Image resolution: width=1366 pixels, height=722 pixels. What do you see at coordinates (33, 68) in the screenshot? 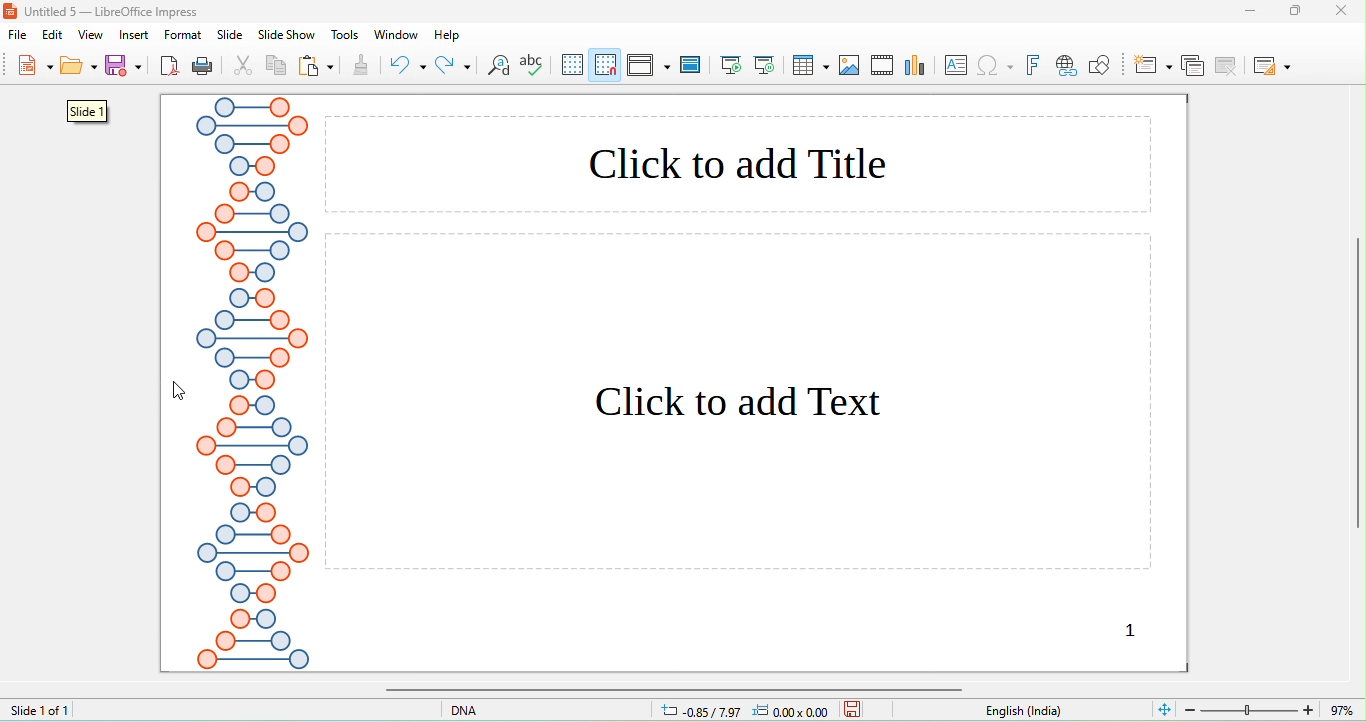
I see `new` at bounding box center [33, 68].